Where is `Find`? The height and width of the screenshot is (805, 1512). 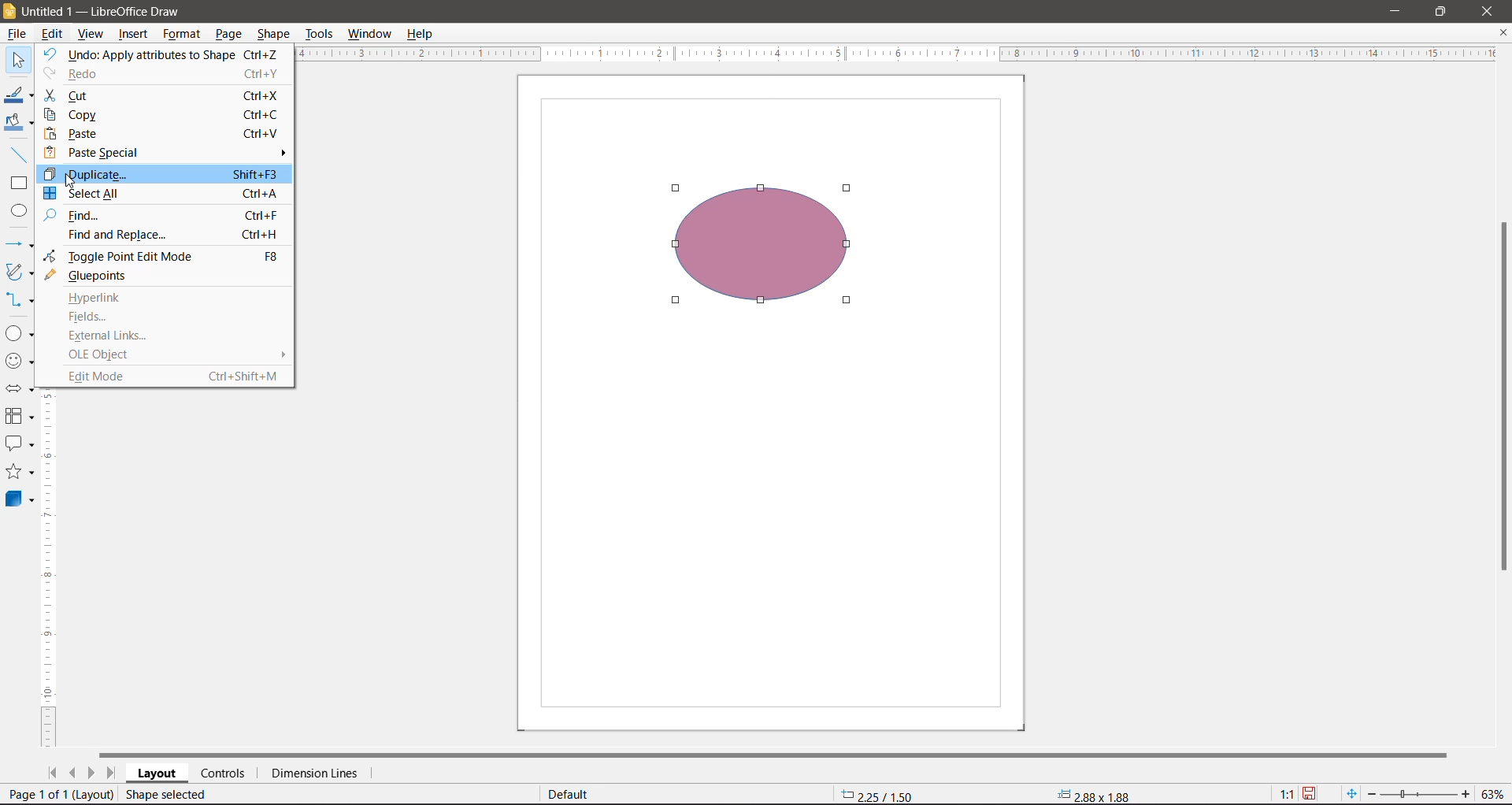
Find is located at coordinates (162, 216).